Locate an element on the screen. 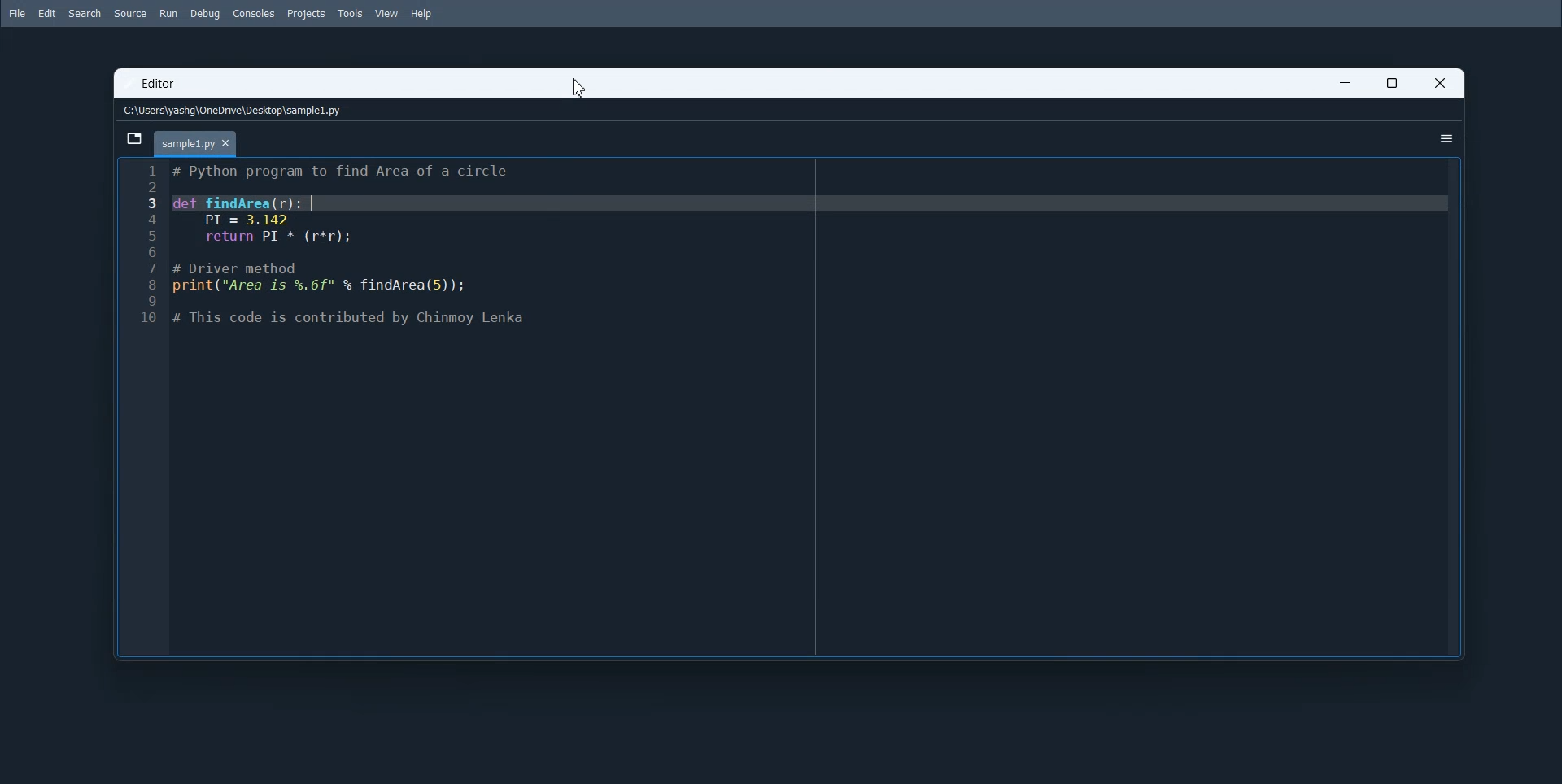 Image resolution: width=1562 pixels, height=784 pixels. View is located at coordinates (386, 13).